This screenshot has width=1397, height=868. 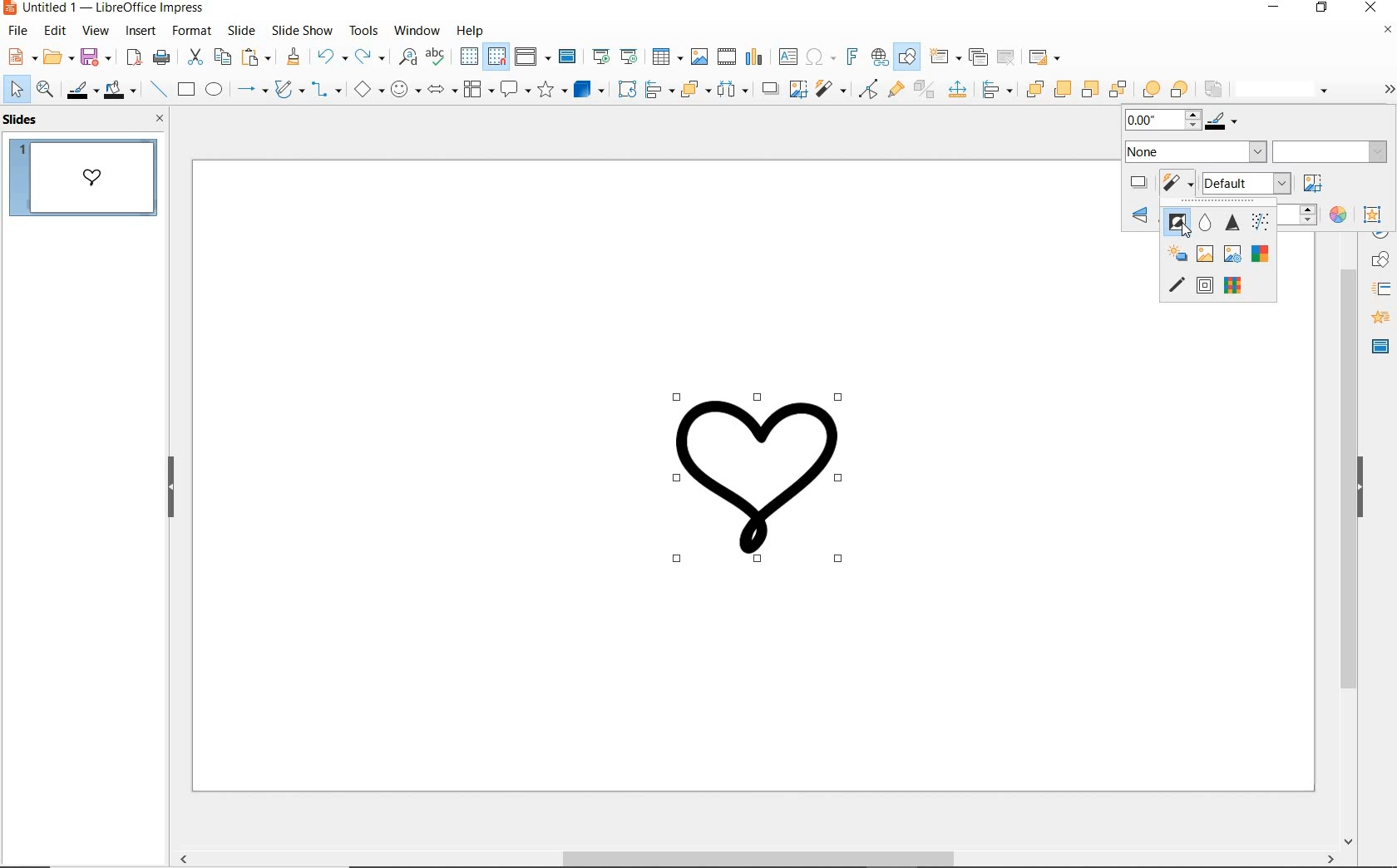 What do you see at coordinates (568, 57) in the screenshot?
I see `master slide` at bounding box center [568, 57].